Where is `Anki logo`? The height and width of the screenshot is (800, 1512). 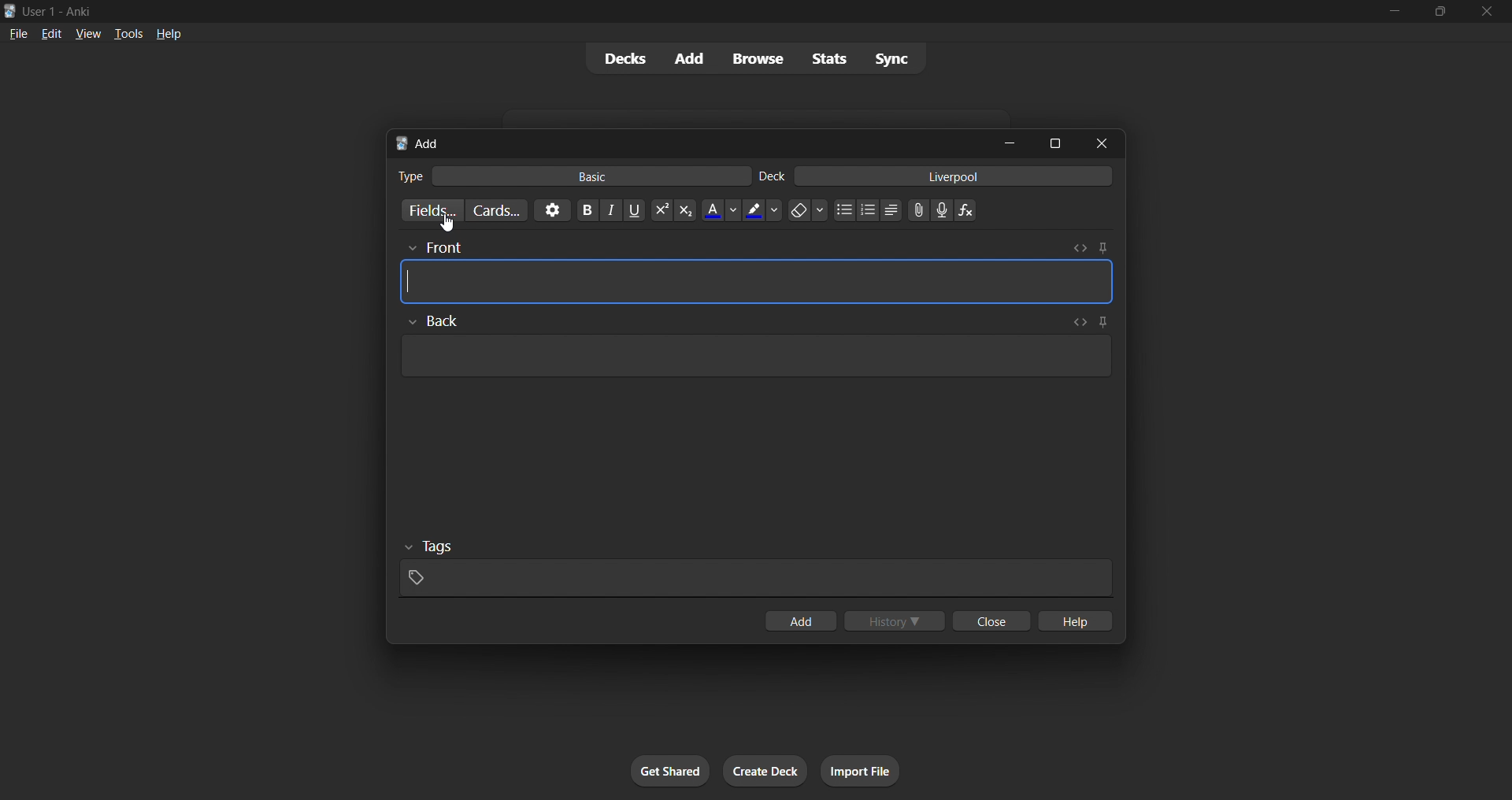 Anki logo is located at coordinates (402, 143).